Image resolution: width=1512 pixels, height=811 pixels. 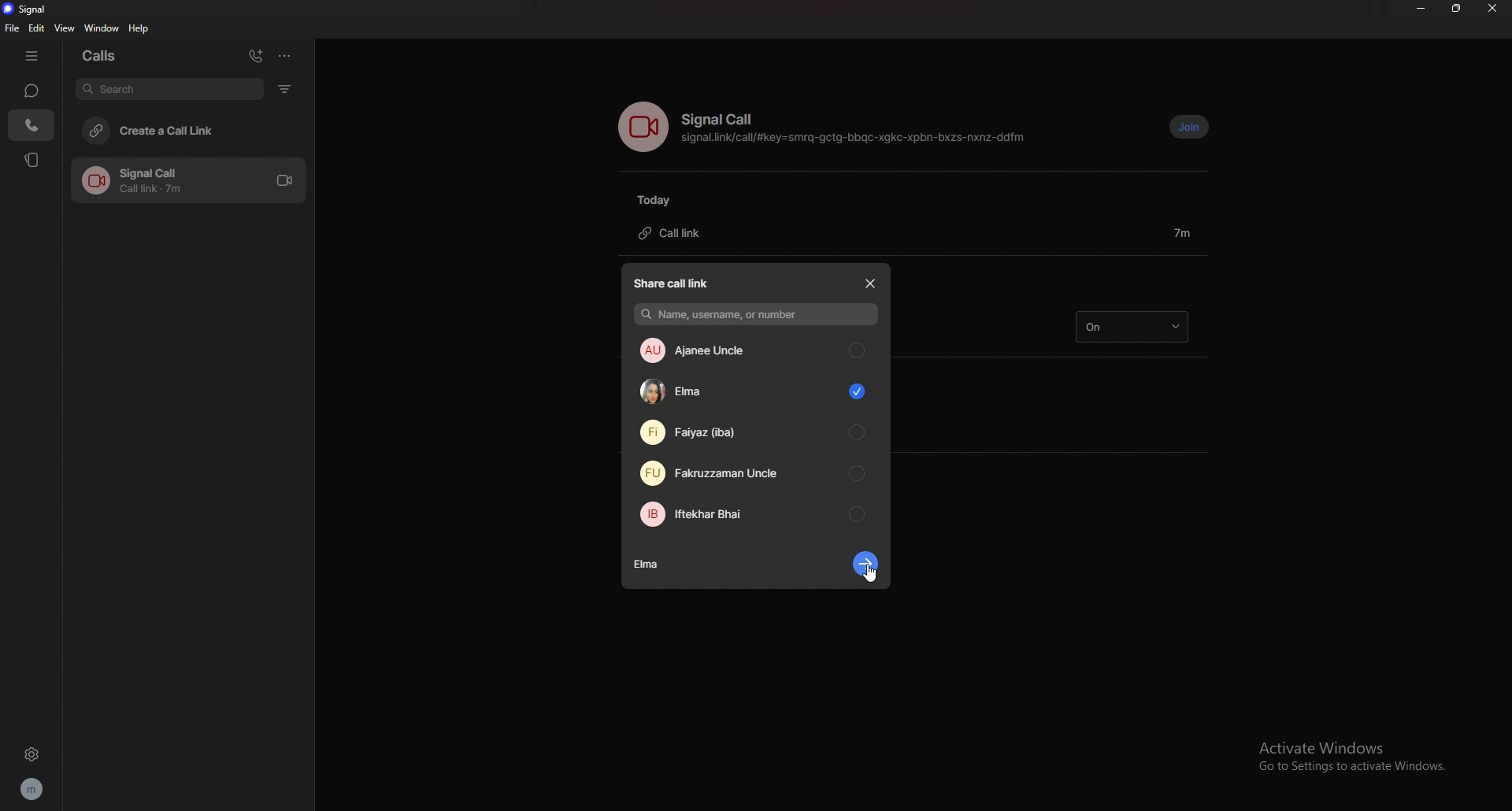 I want to click on search, so click(x=169, y=88).